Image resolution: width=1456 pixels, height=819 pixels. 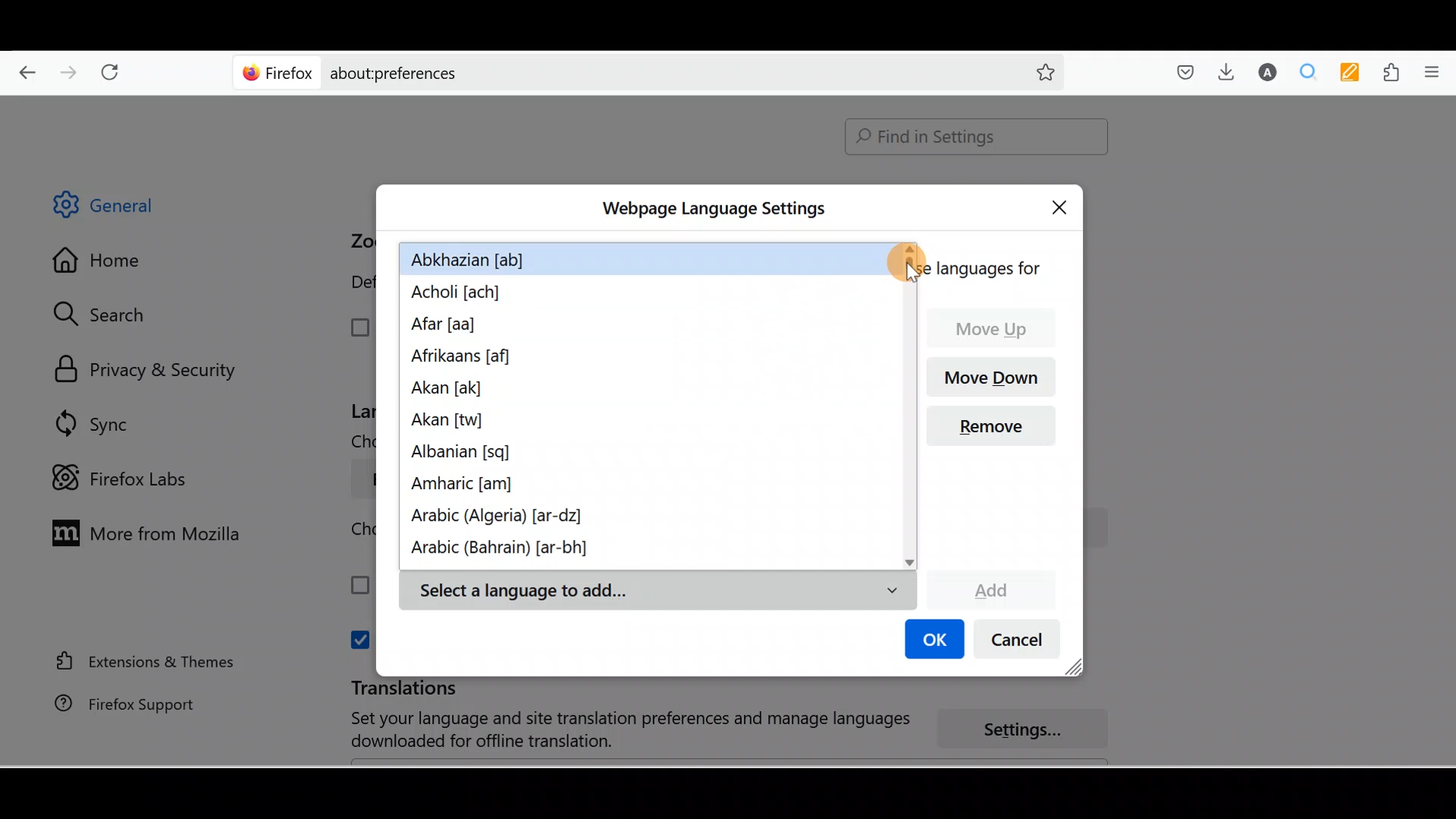 What do you see at coordinates (906, 427) in the screenshot?
I see `Scroll bar` at bounding box center [906, 427].